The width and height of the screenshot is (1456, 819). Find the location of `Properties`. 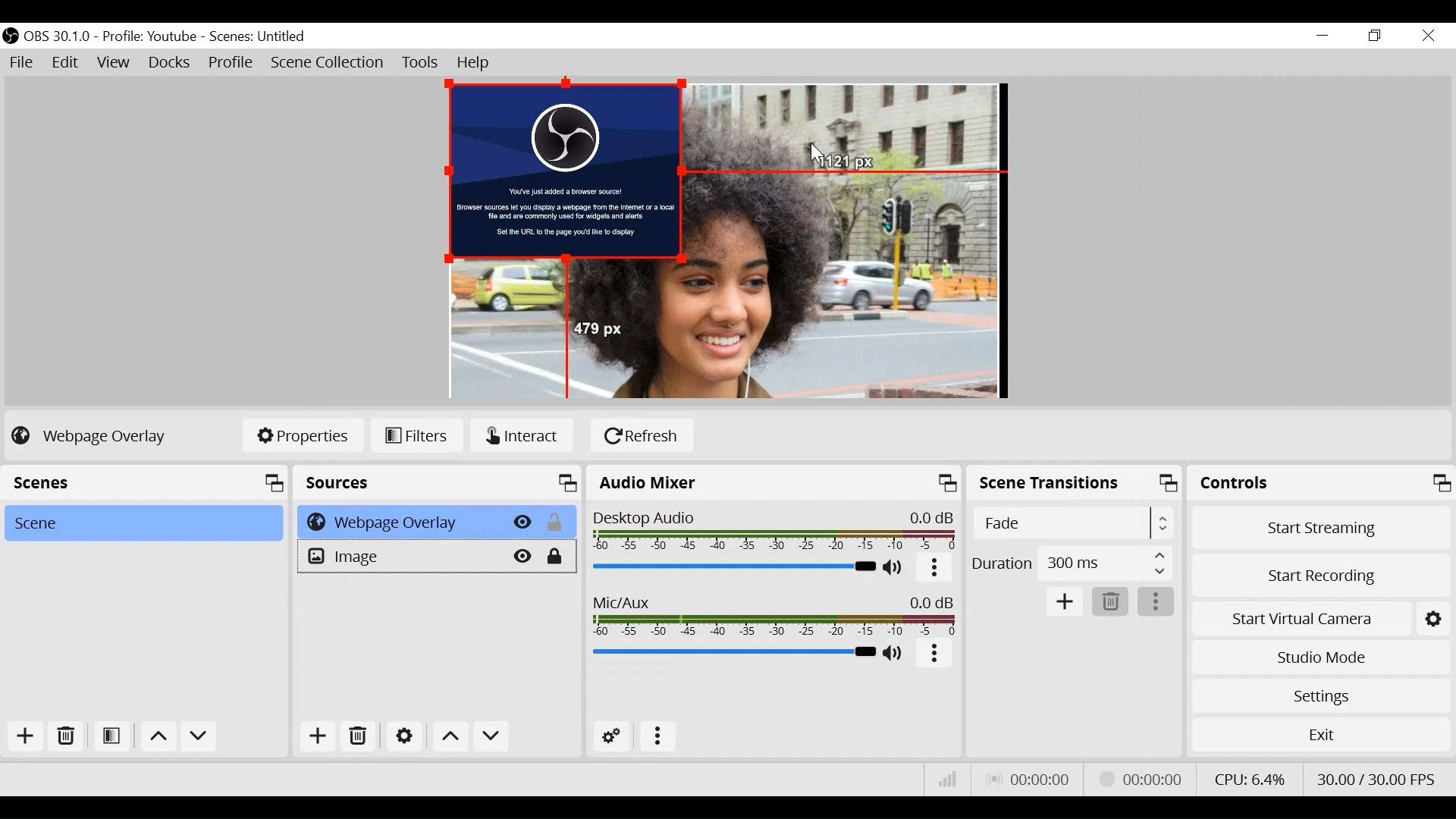

Properties is located at coordinates (303, 436).